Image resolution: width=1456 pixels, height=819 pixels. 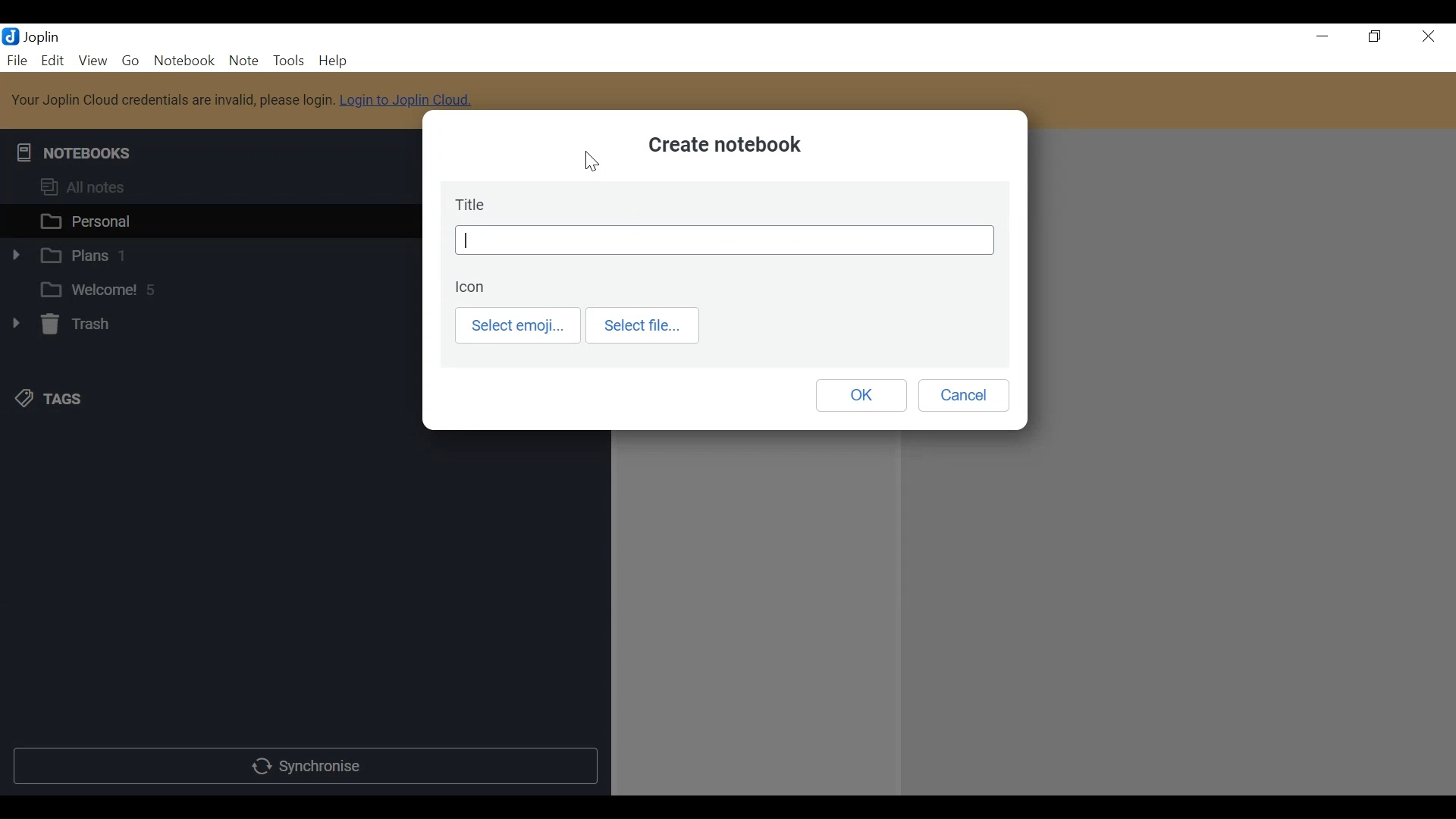 I want to click on View, so click(x=92, y=60).